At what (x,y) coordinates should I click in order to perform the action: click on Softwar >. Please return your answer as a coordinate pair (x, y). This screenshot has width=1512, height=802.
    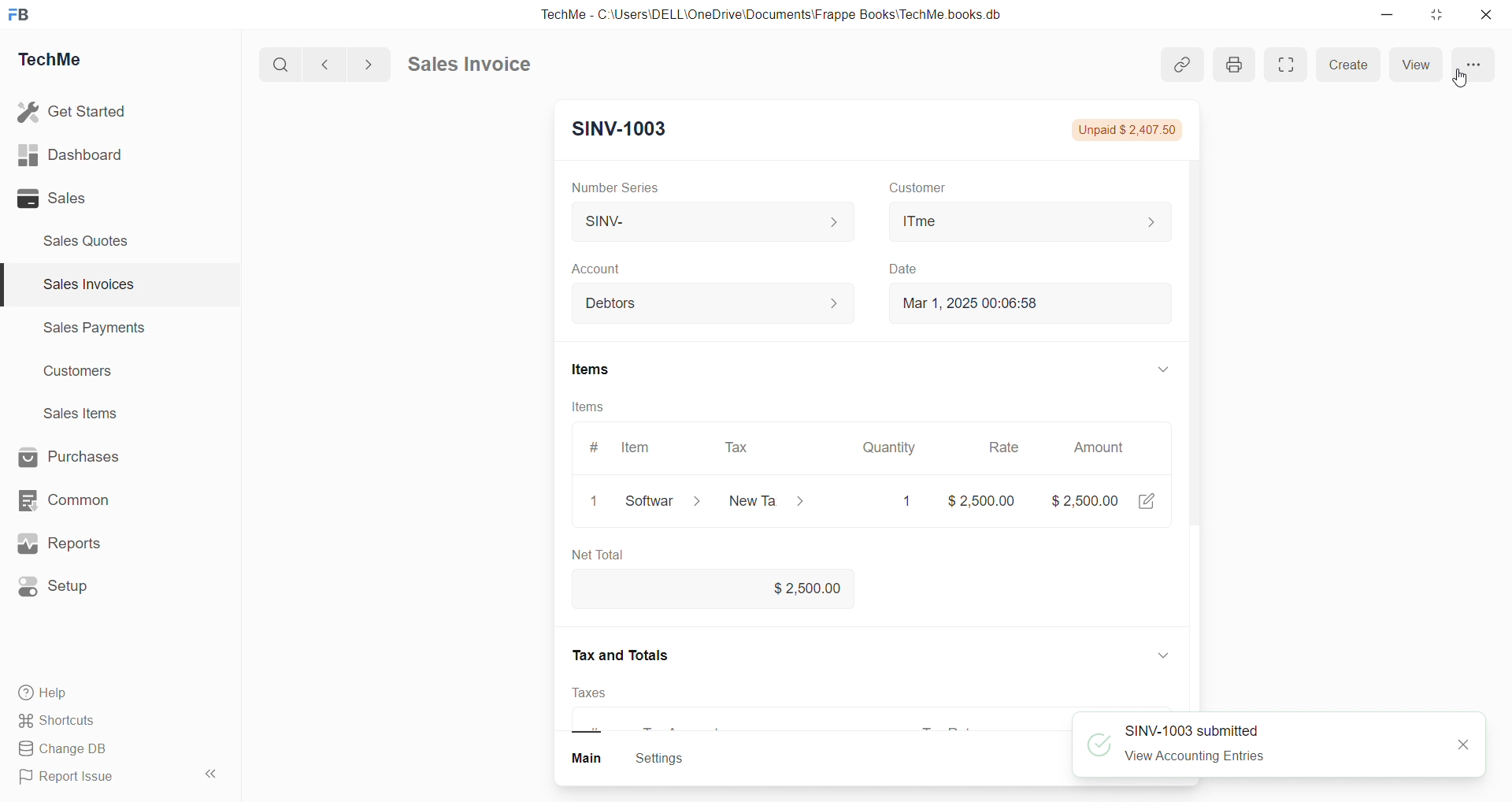
    Looking at the image, I should click on (661, 502).